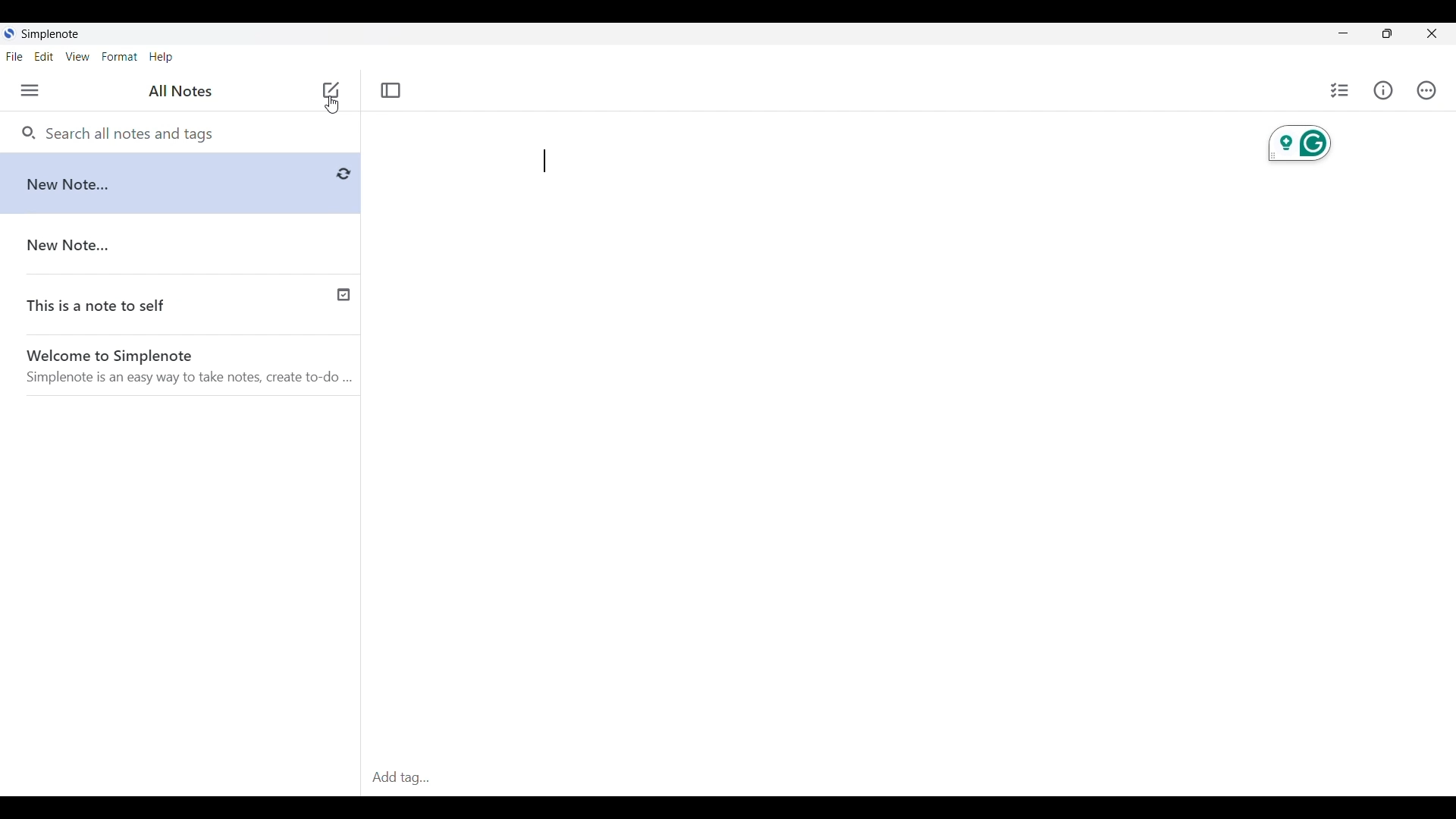  Describe the element at coordinates (332, 105) in the screenshot. I see `Cursor position unchanged ` at that location.